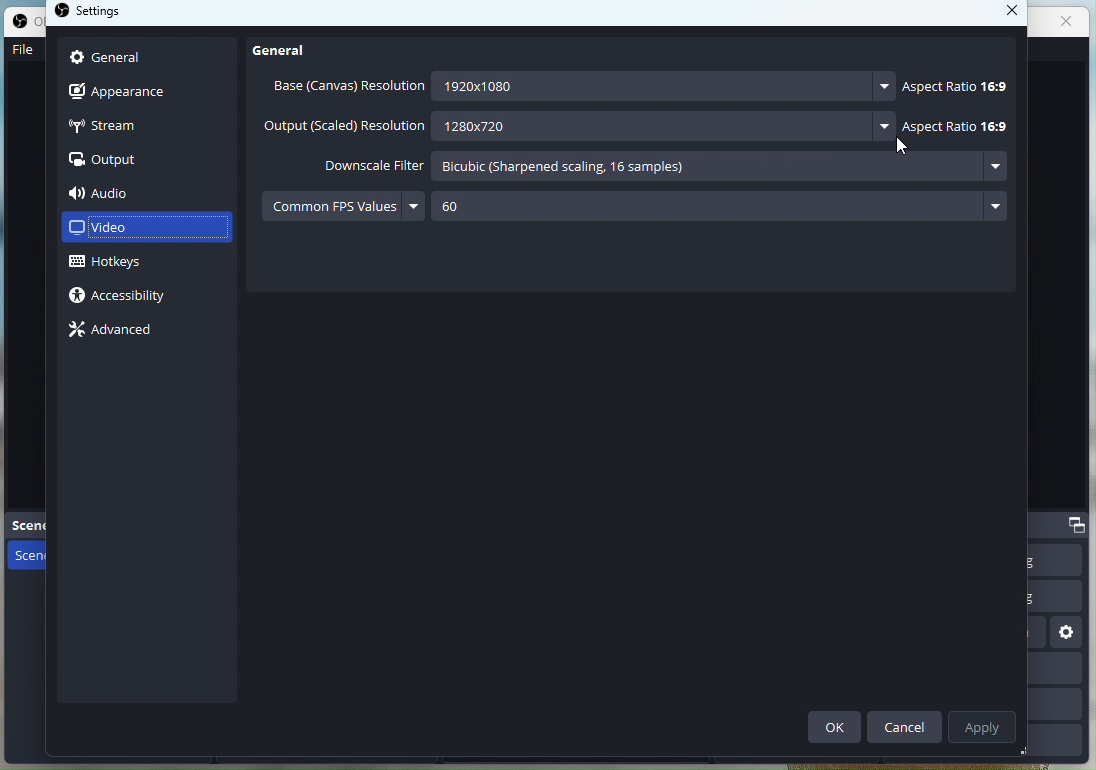 The width and height of the screenshot is (1096, 770). I want to click on Base (Canvas) resolution, so click(343, 88).